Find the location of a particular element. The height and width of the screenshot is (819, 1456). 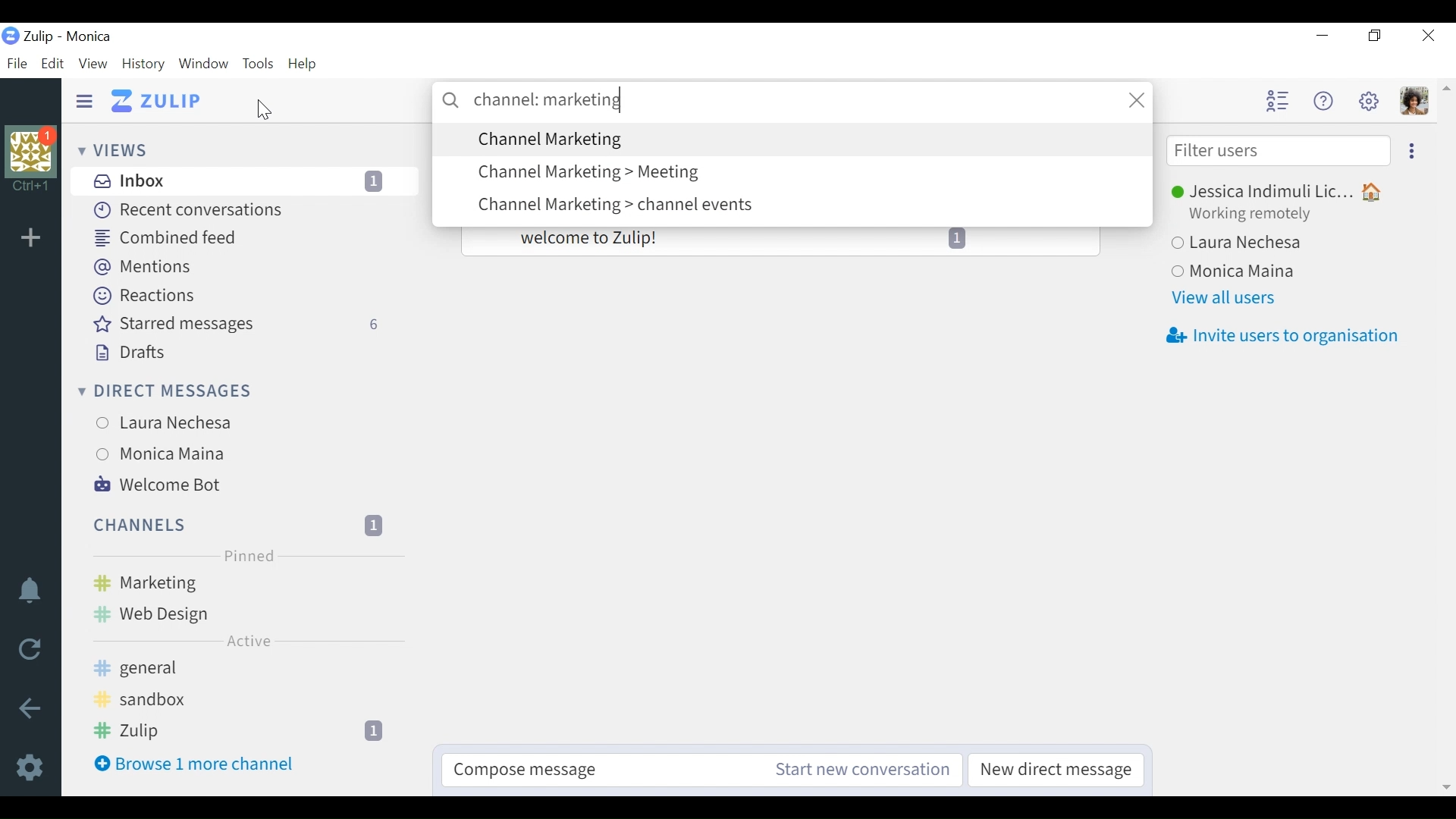

Start new conversation is located at coordinates (861, 769).